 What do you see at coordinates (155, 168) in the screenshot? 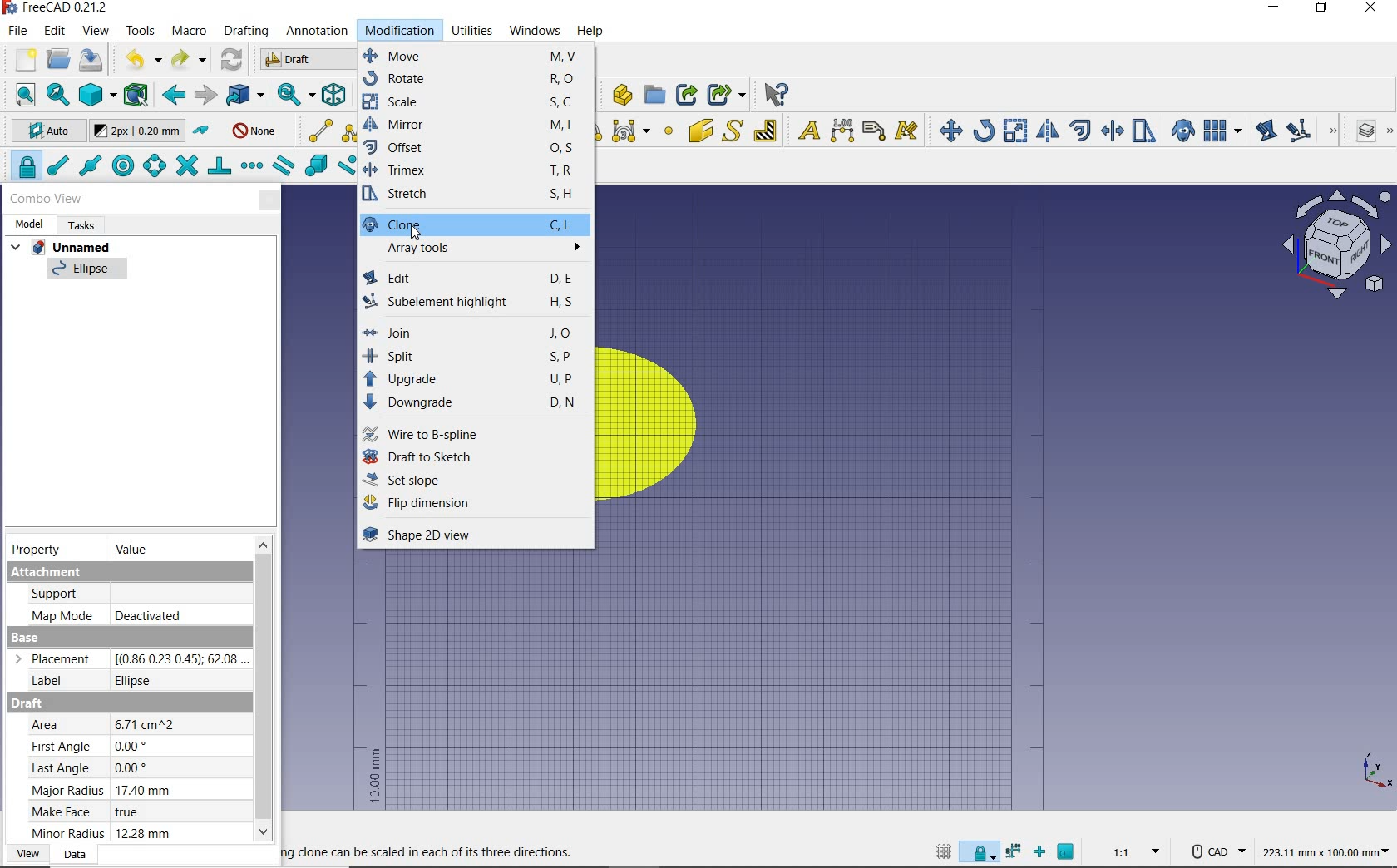
I see `snap angle` at bounding box center [155, 168].